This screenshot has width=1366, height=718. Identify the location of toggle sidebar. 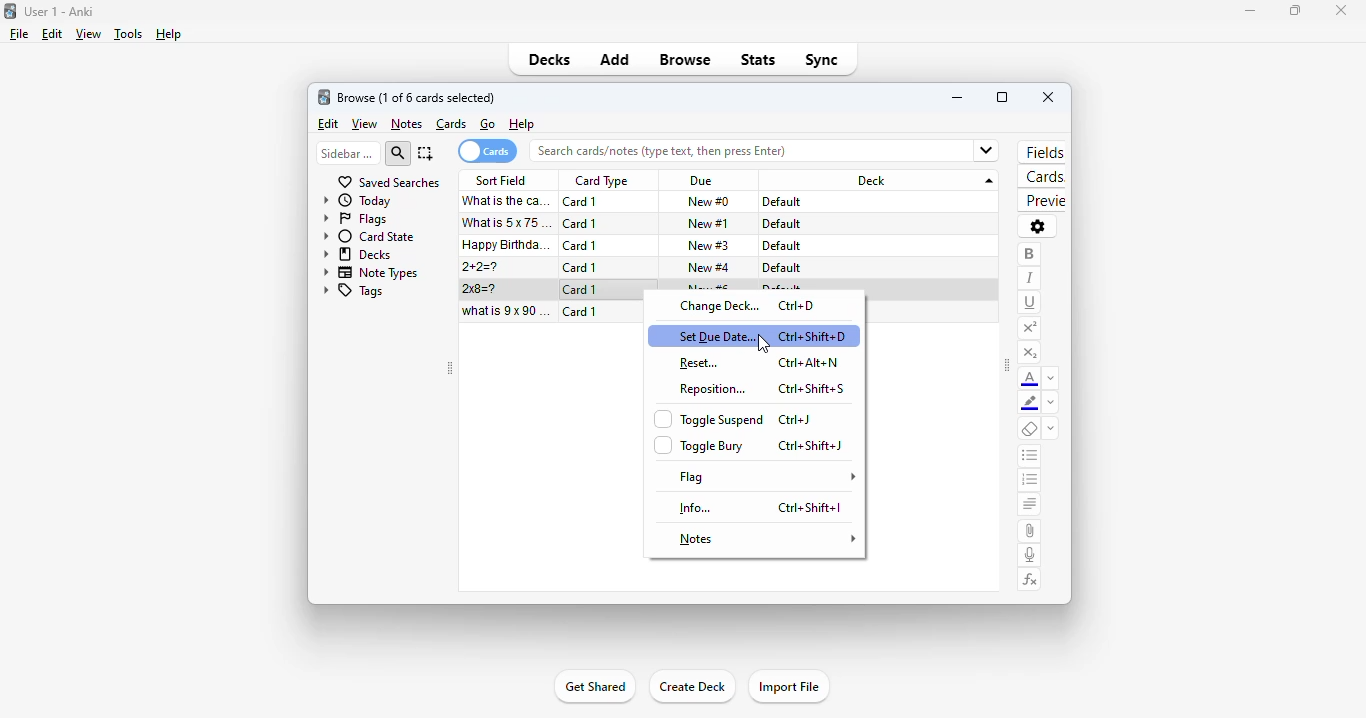
(449, 369).